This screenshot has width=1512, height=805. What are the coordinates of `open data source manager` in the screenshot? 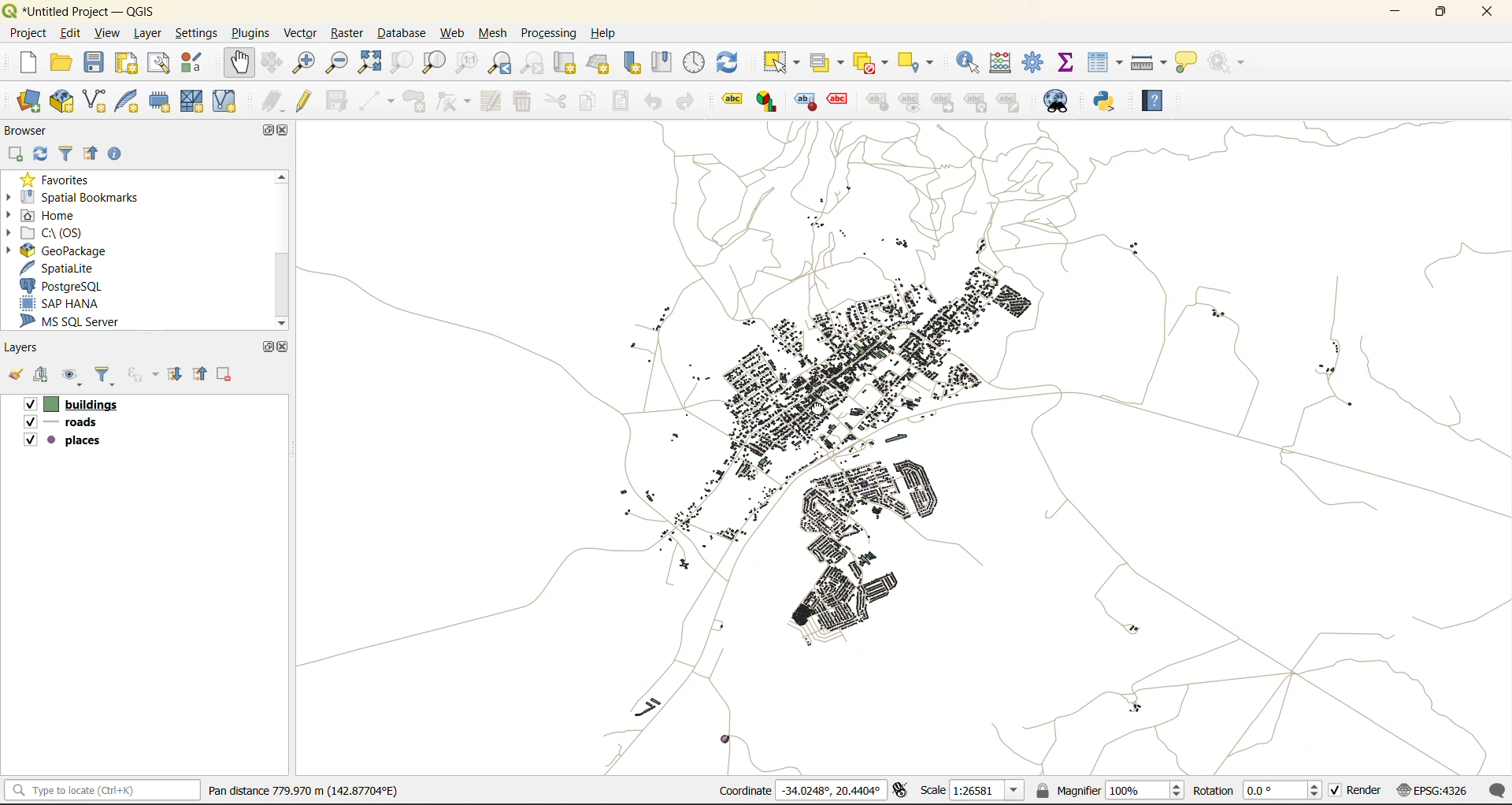 It's located at (29, 101).